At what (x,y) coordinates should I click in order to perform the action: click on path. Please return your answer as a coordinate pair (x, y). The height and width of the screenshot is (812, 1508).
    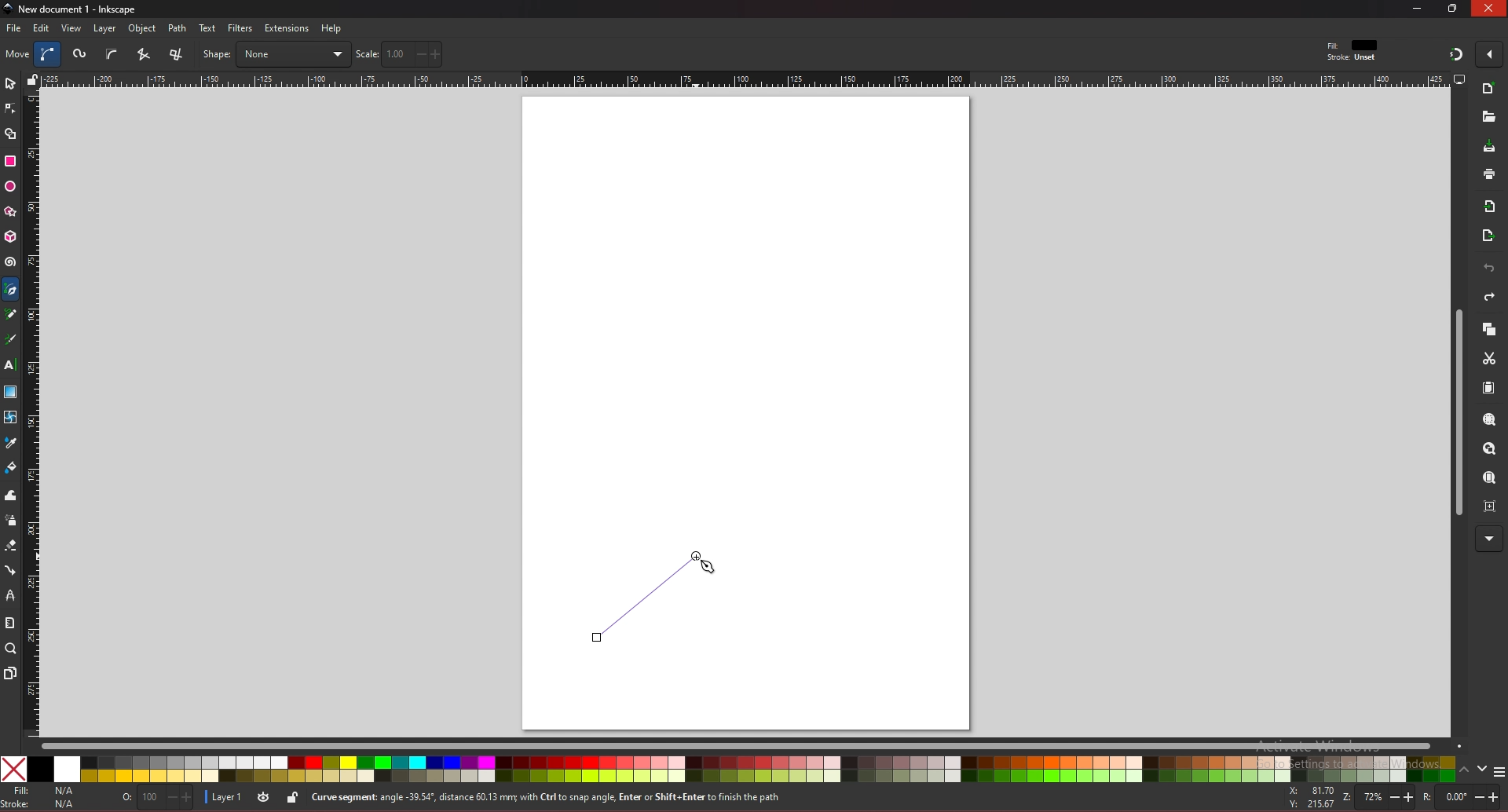
    Looking at the image, I should click on (178, 28).